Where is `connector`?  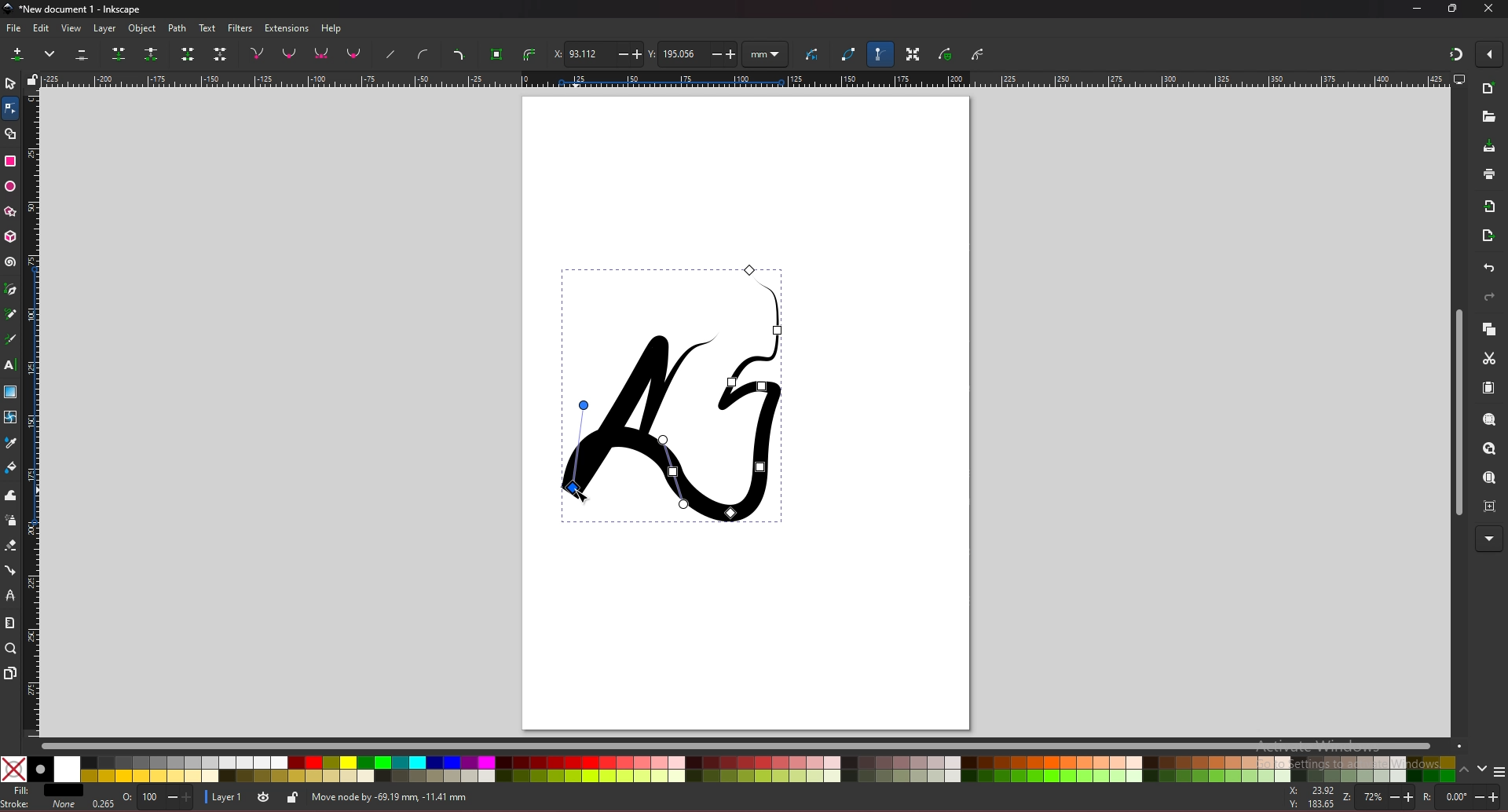
connector is located at coordinates (11, 570).